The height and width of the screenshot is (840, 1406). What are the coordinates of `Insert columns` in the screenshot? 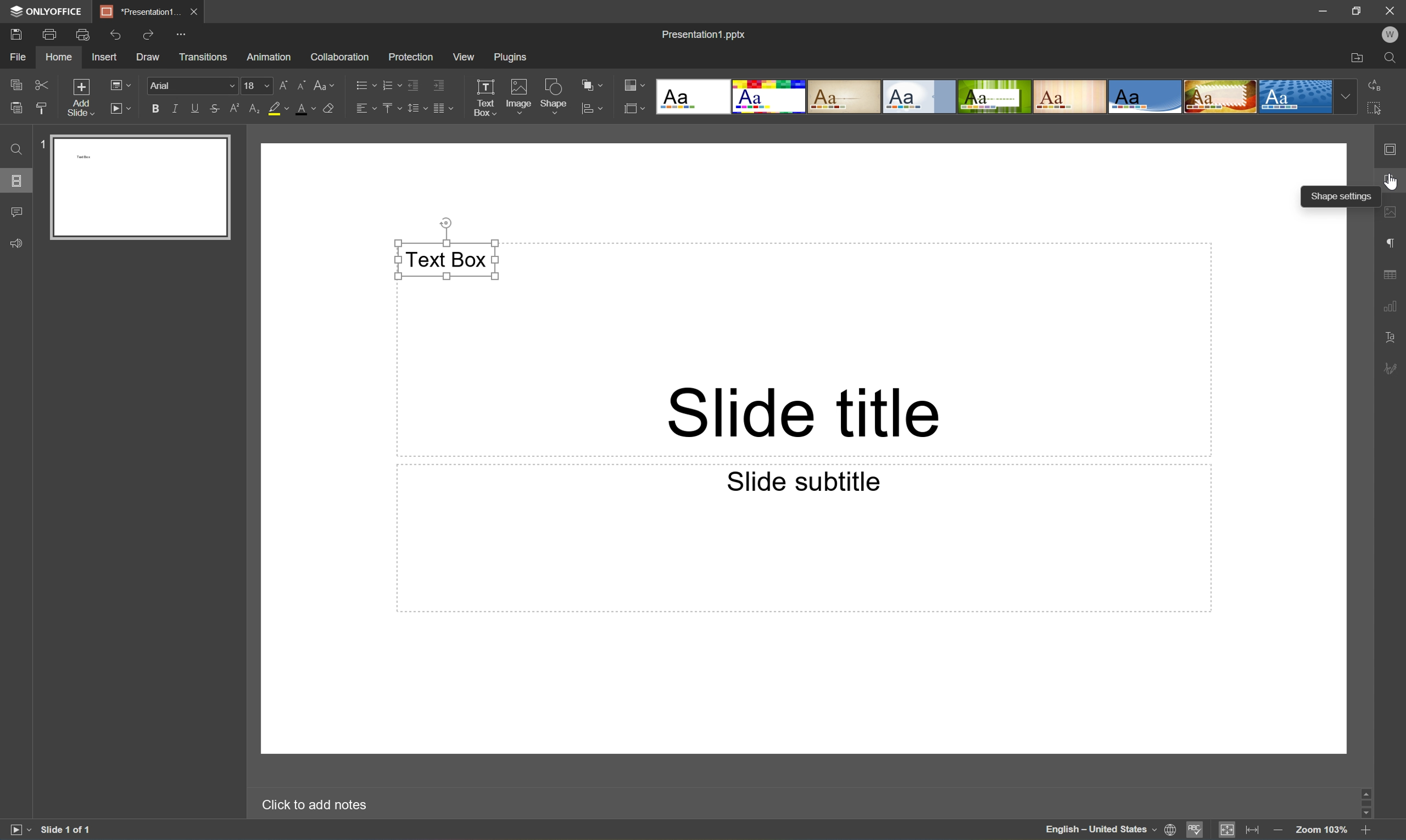 It's located at (444, 110).